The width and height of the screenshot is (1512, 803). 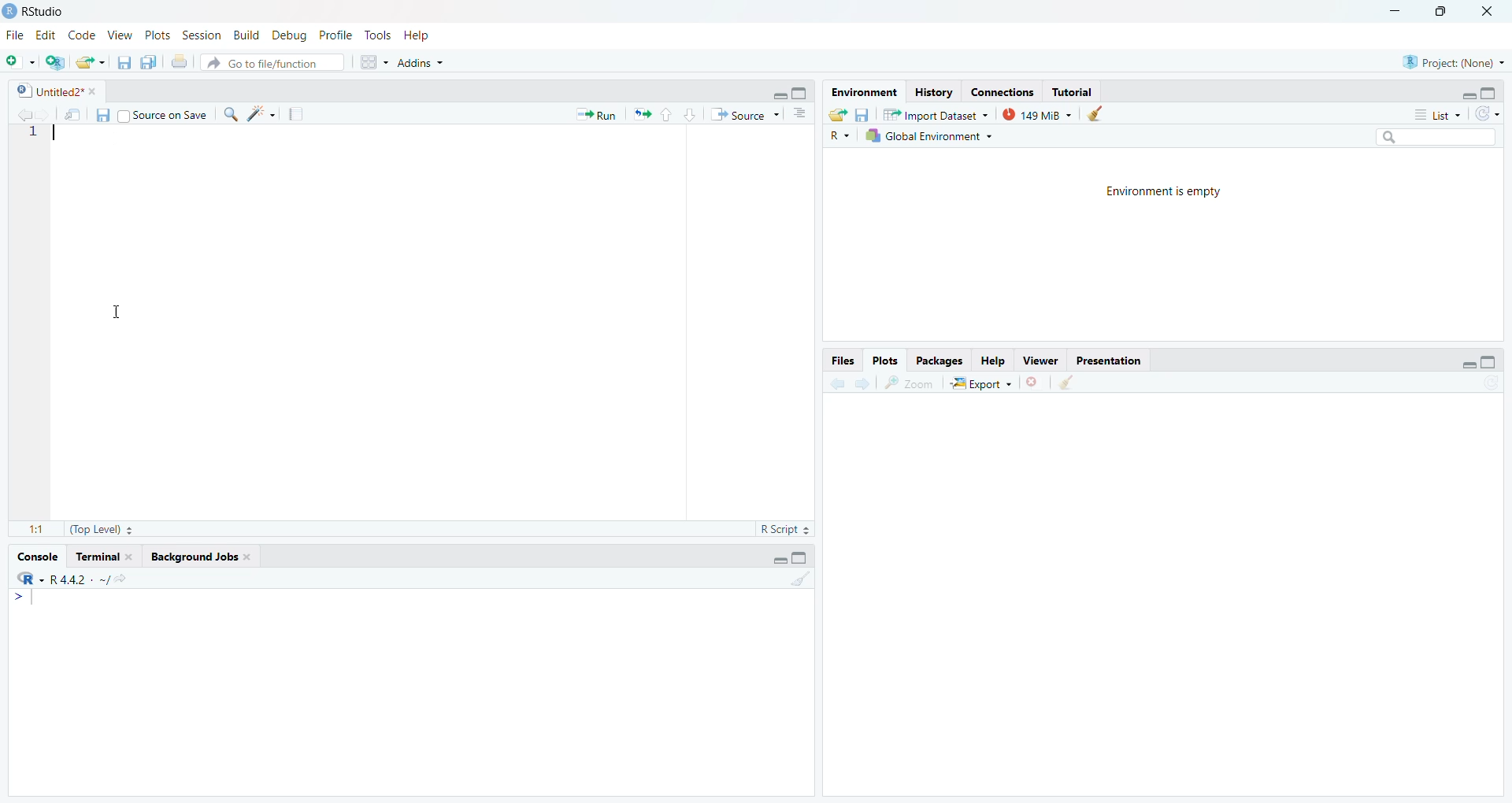 I want to click on Source on Save, so click(x=165, y=116).